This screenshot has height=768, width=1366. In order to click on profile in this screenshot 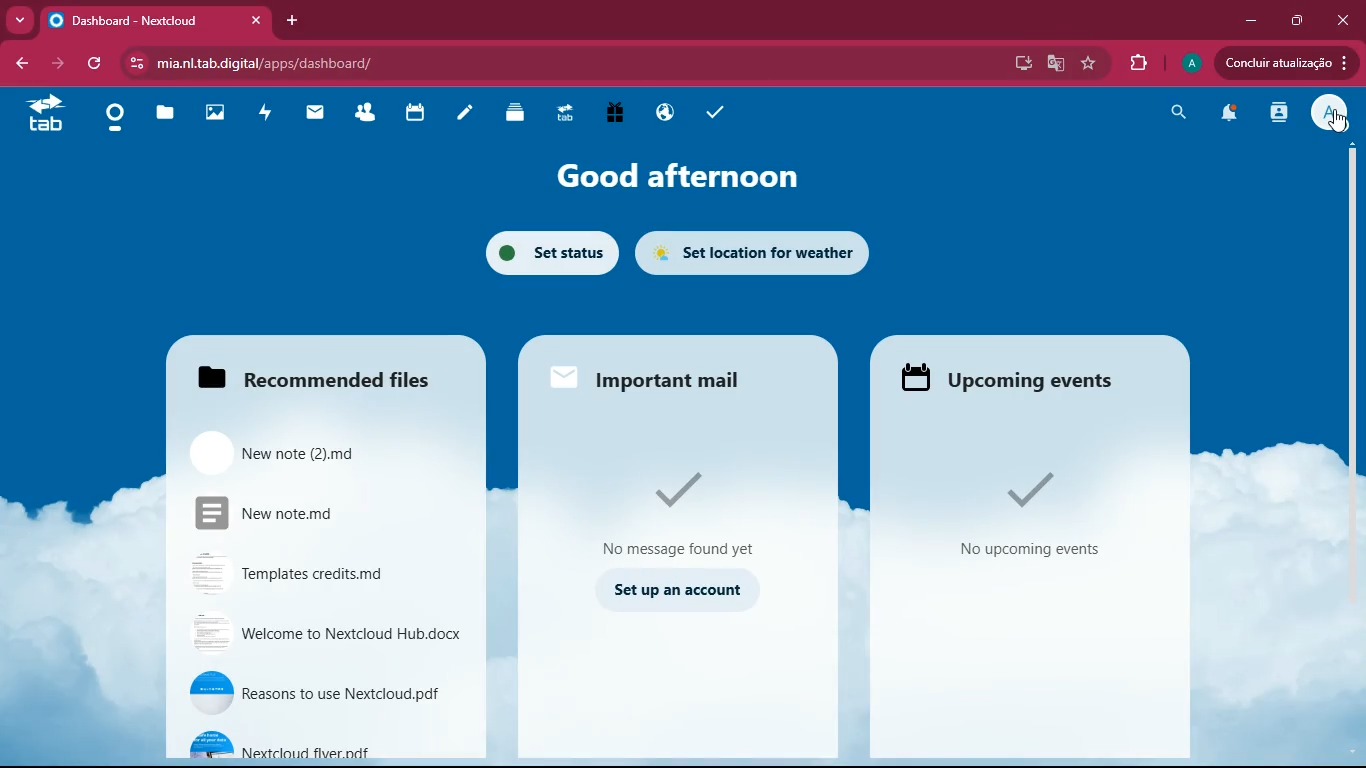, I will do `click(1195, 64)`.